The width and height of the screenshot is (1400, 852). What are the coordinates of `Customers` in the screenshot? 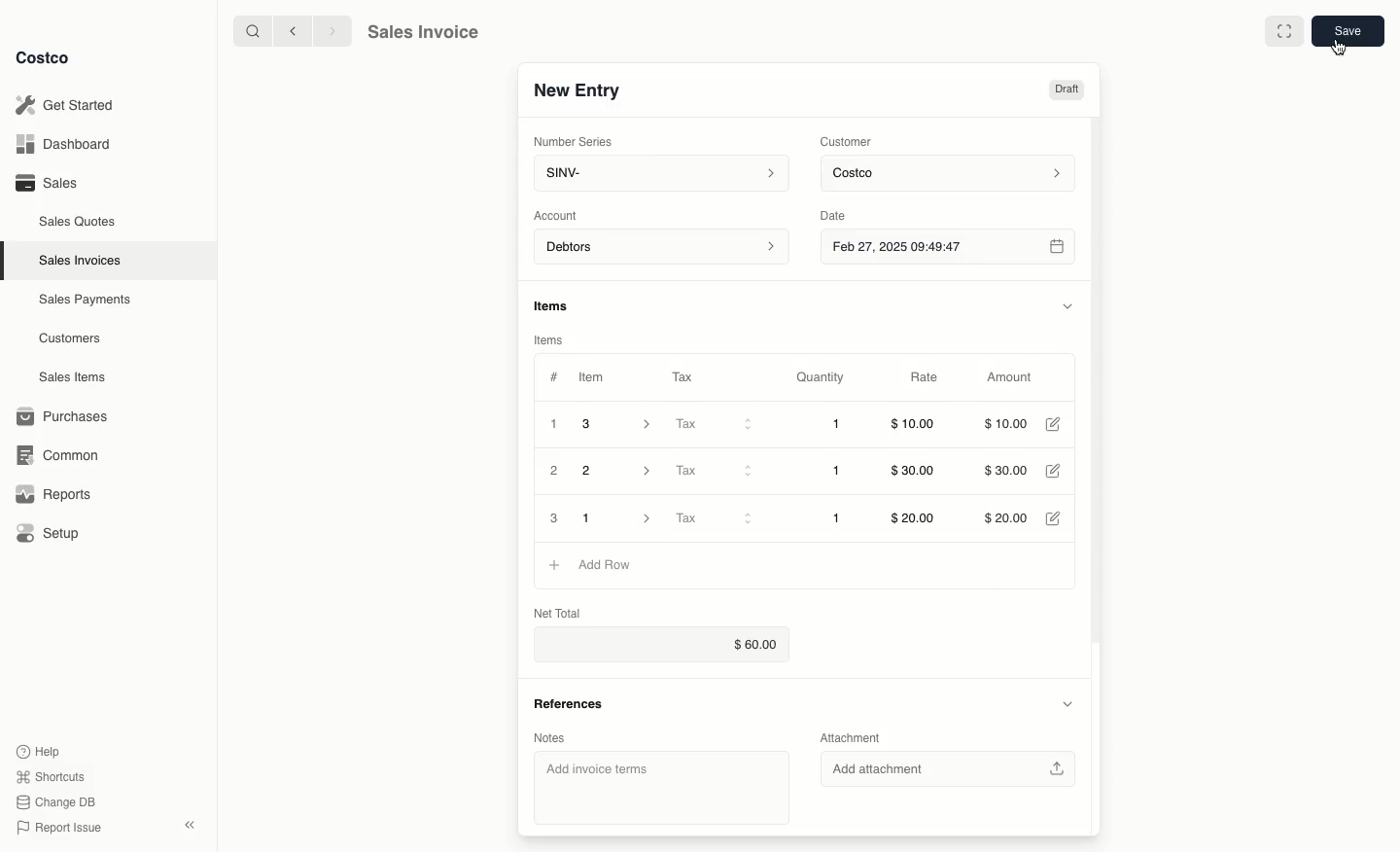 It's located at (73, 338).